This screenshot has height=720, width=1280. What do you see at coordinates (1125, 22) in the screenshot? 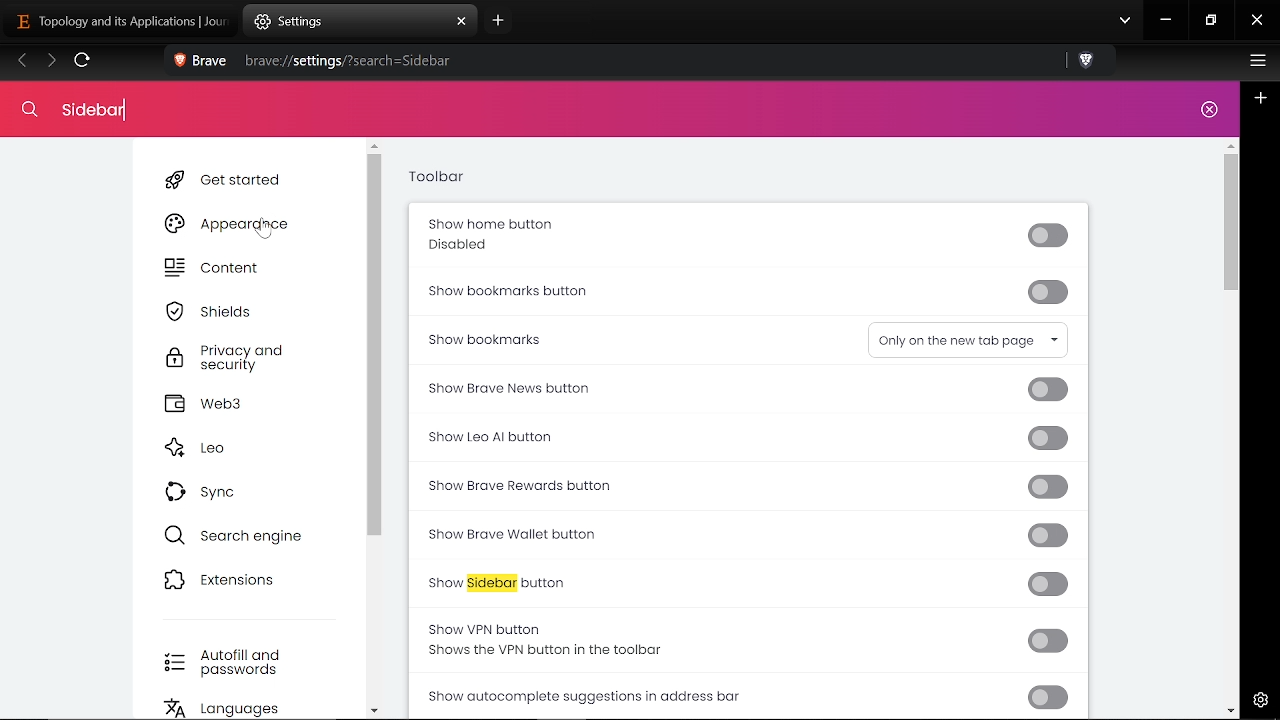
I see `Search tabs` at bounding box center [1125, 22].